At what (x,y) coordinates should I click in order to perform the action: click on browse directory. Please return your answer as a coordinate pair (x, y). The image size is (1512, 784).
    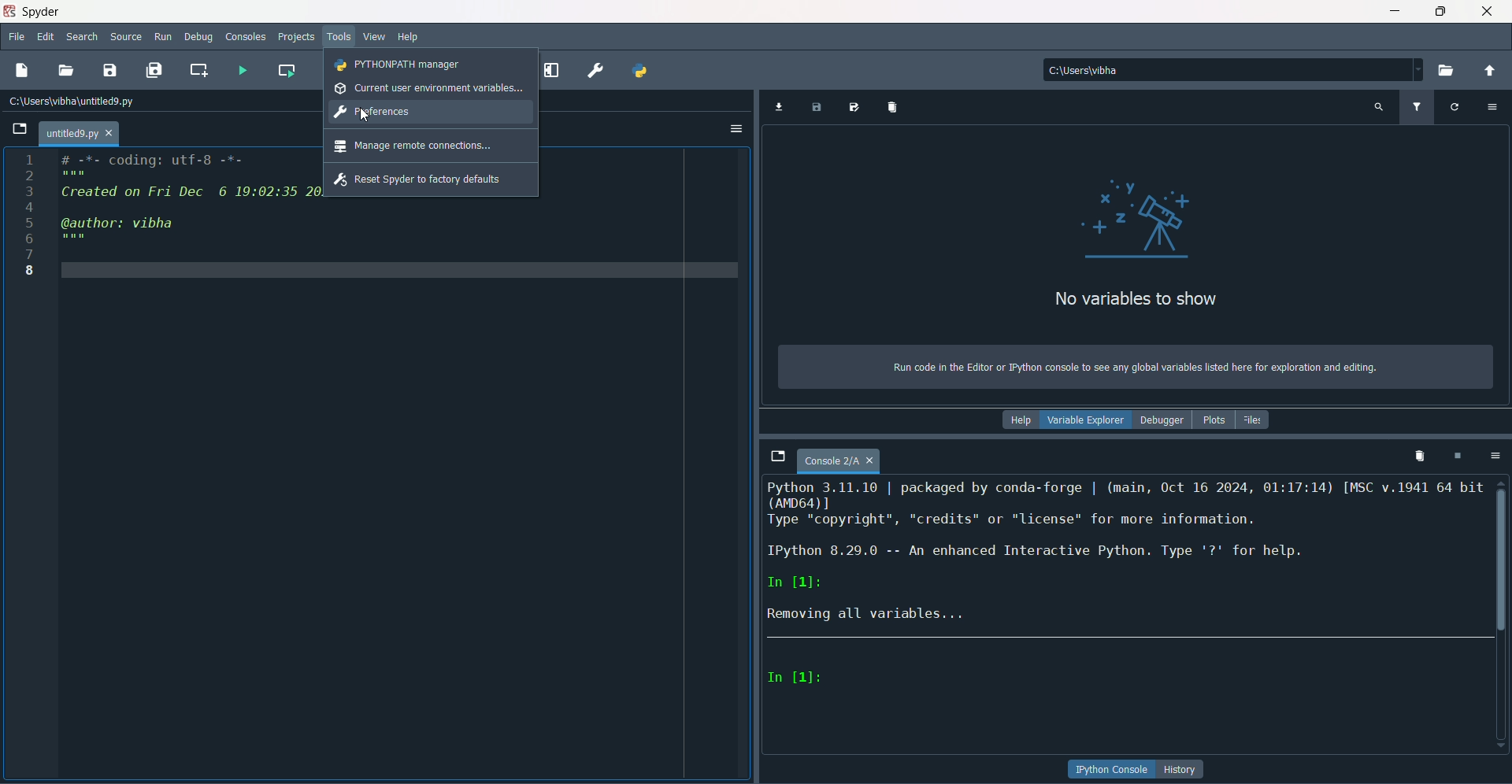
    Looking at the image, I should click on (1447, 71).